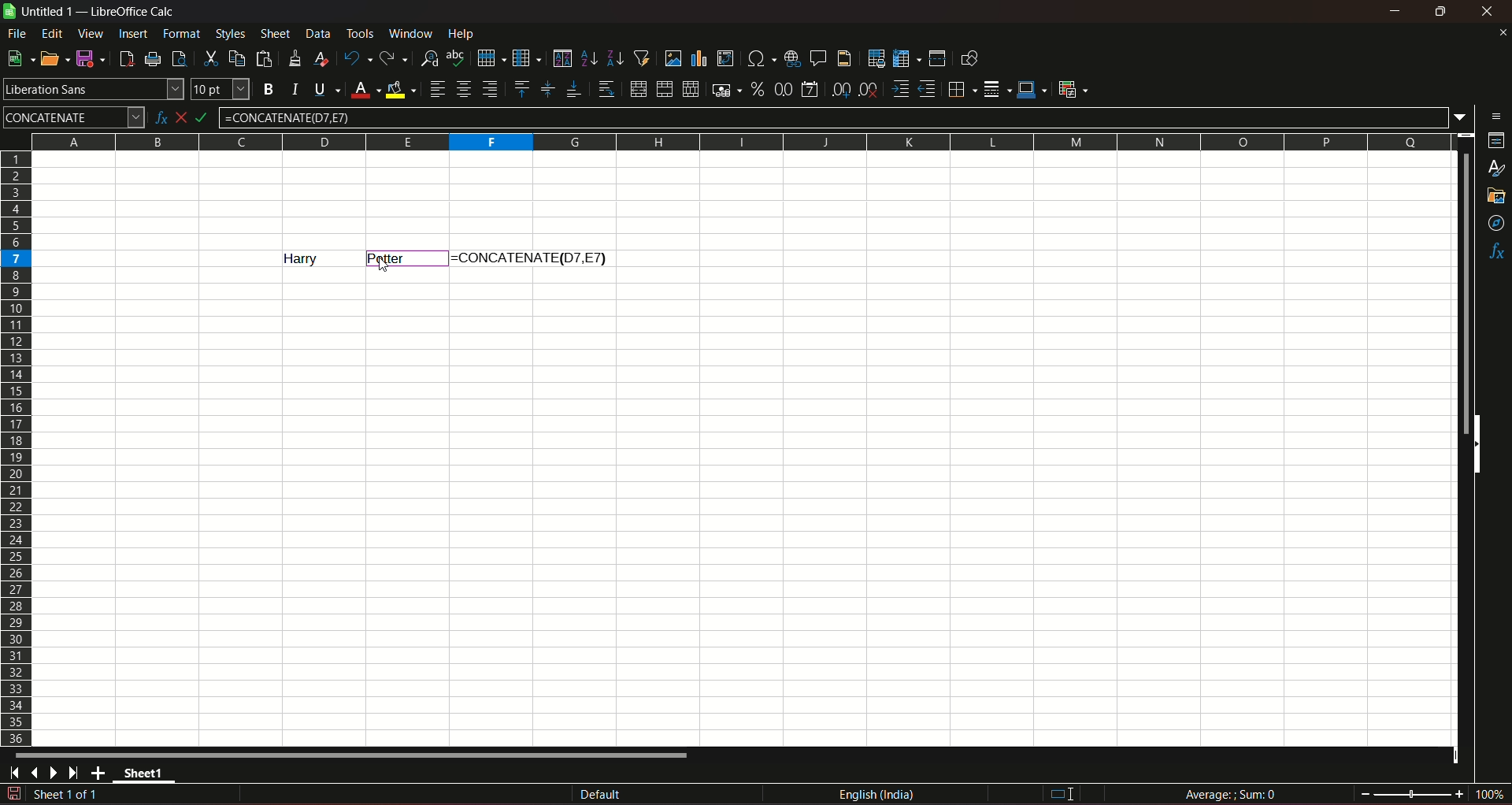 This screenshot has height=805, width=1512. I want to click on scroll to next, so click(57, 773).